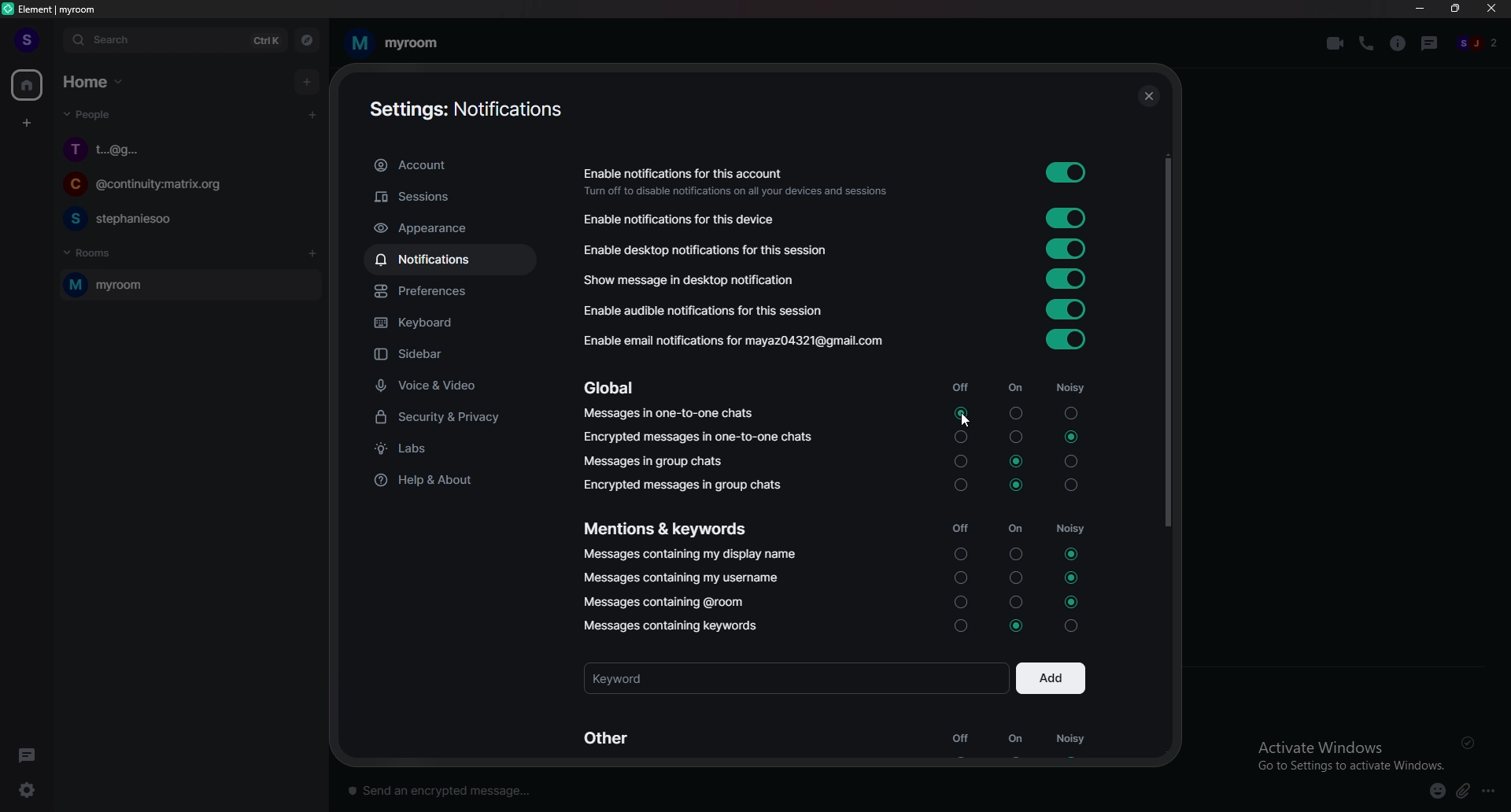 The image size is (1511, 812). Describe the element at coordinates (684, 485) in the screenshot. I see `Encrypted messages in group chats` at that location.